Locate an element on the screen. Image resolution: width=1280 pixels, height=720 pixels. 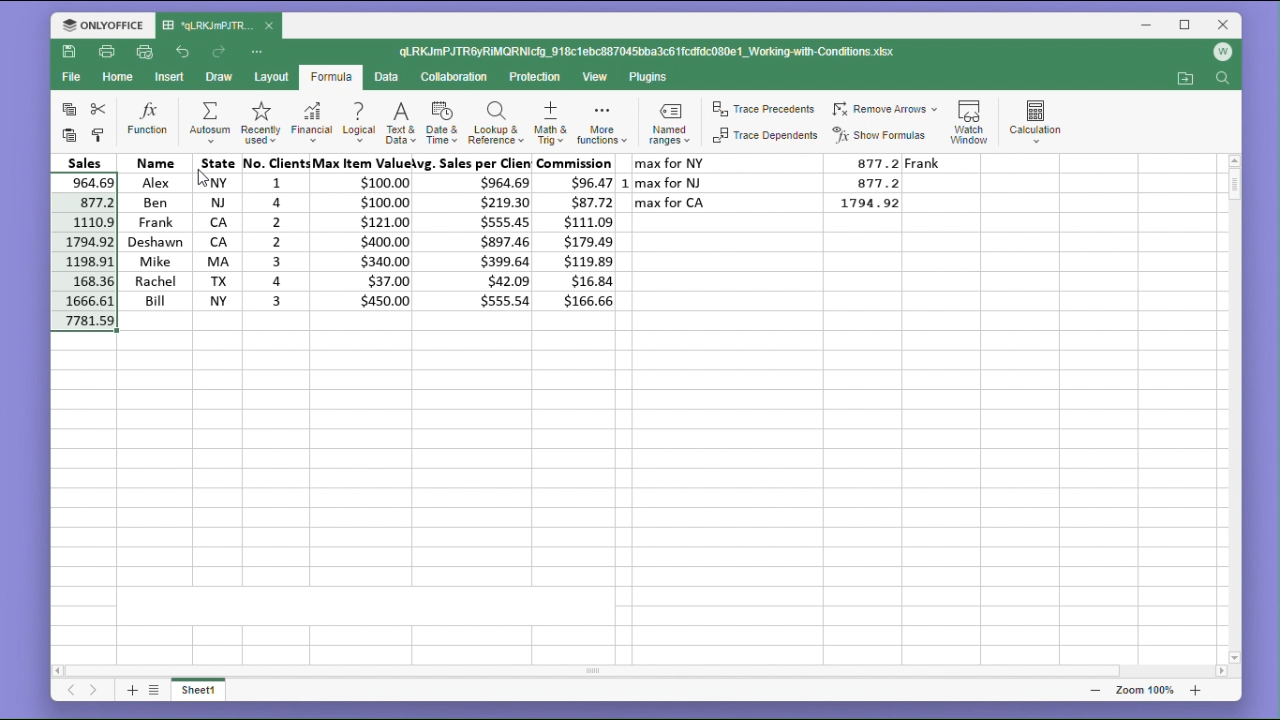
onlyoffice is located at coordinates (98, 24).